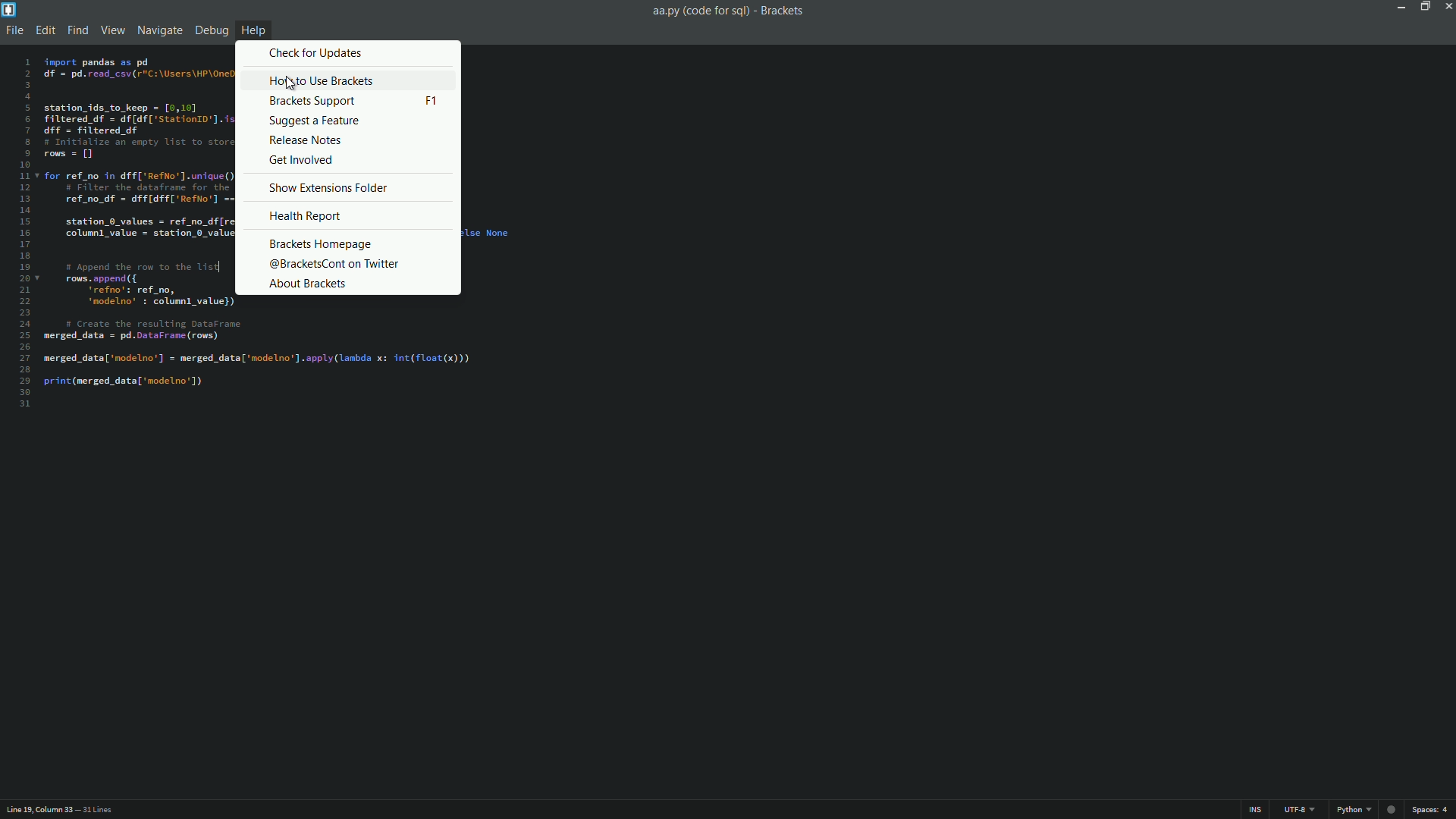  Describe the element at coordinates (306, 142) in the screenshot. I see `release notes` at that location.